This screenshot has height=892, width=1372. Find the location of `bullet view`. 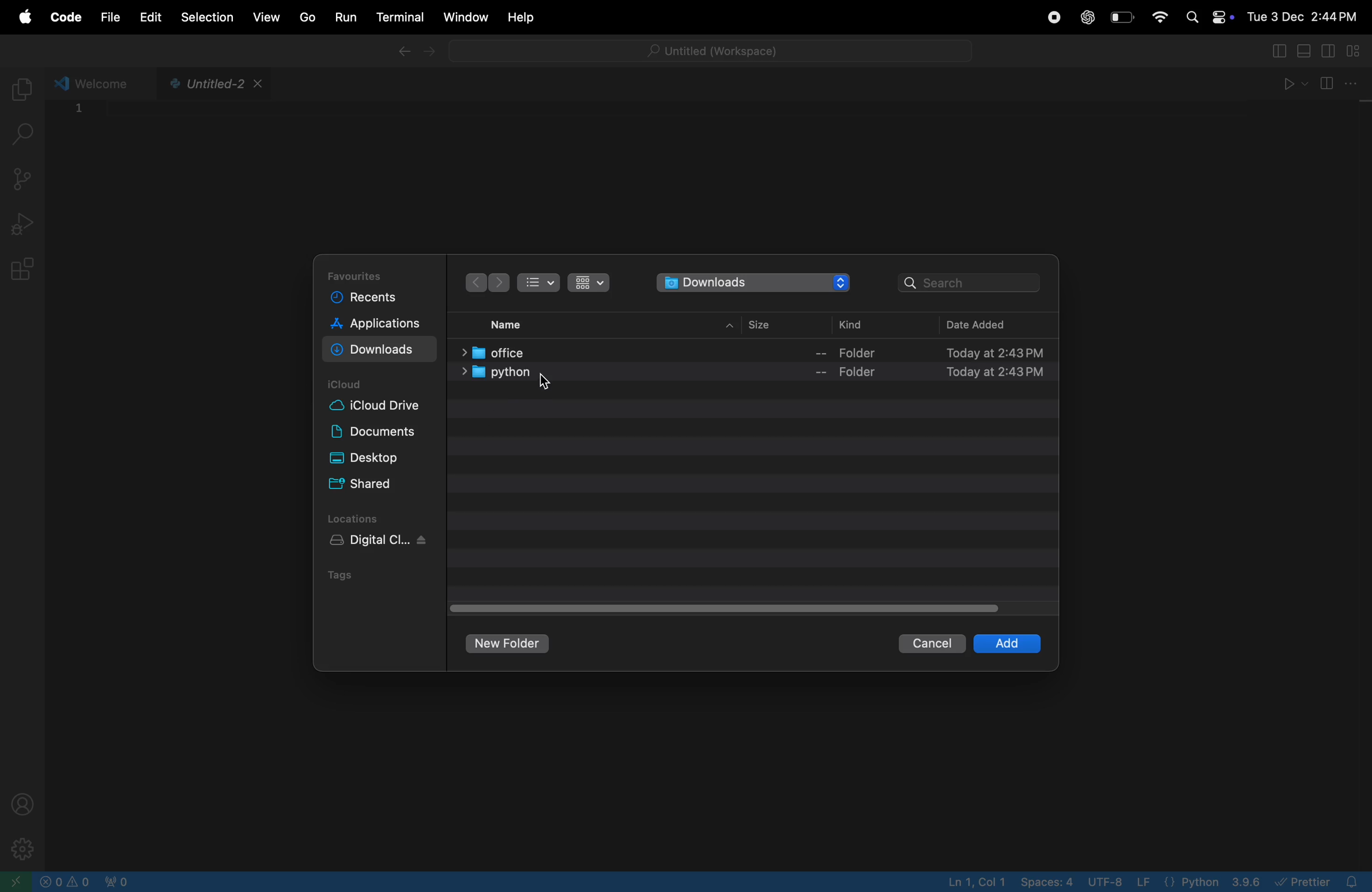

bullet view is located at coordinates (544, 284).